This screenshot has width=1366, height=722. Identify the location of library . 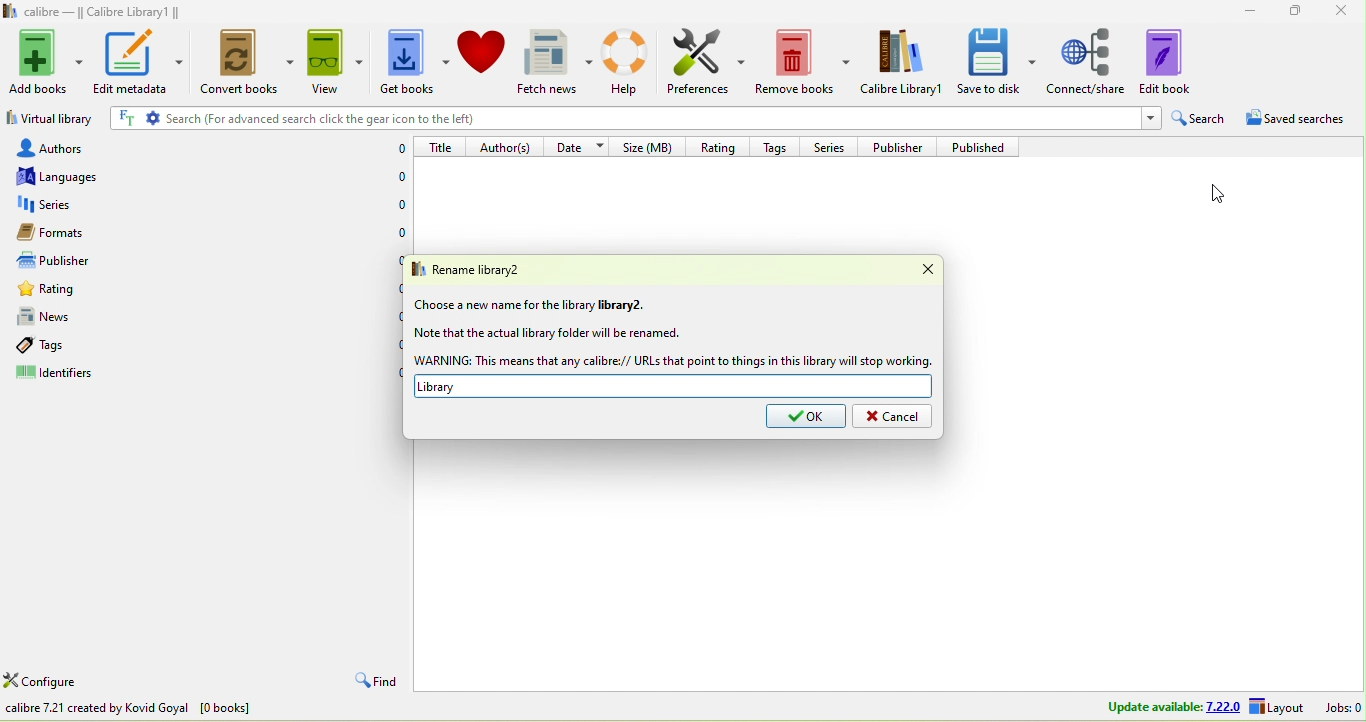
(674, 386).